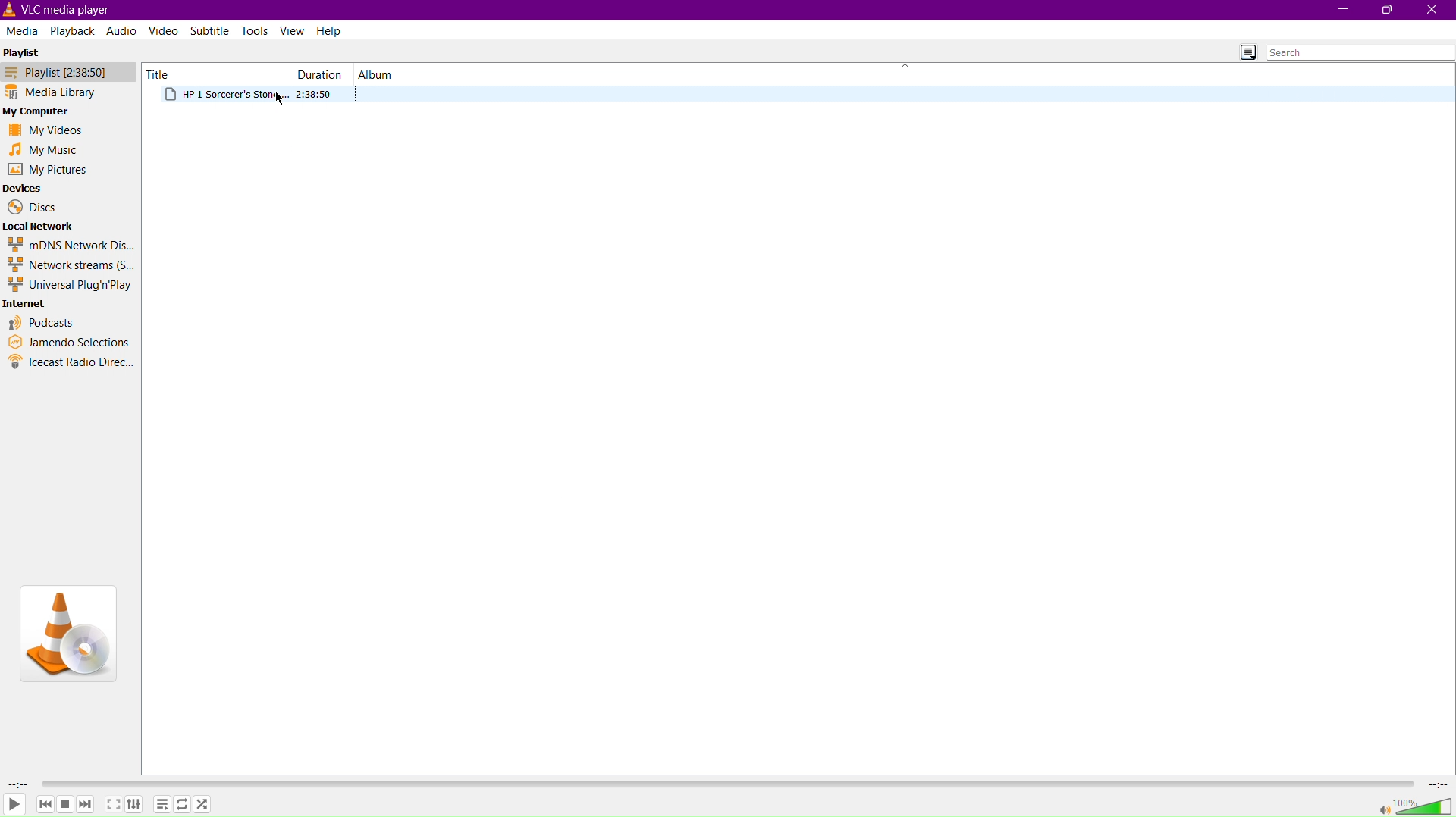 This screenshot has width=1456, height=817. Describe the element at coordinates (15, 805) in the screenshot. I see `Play` at that location.